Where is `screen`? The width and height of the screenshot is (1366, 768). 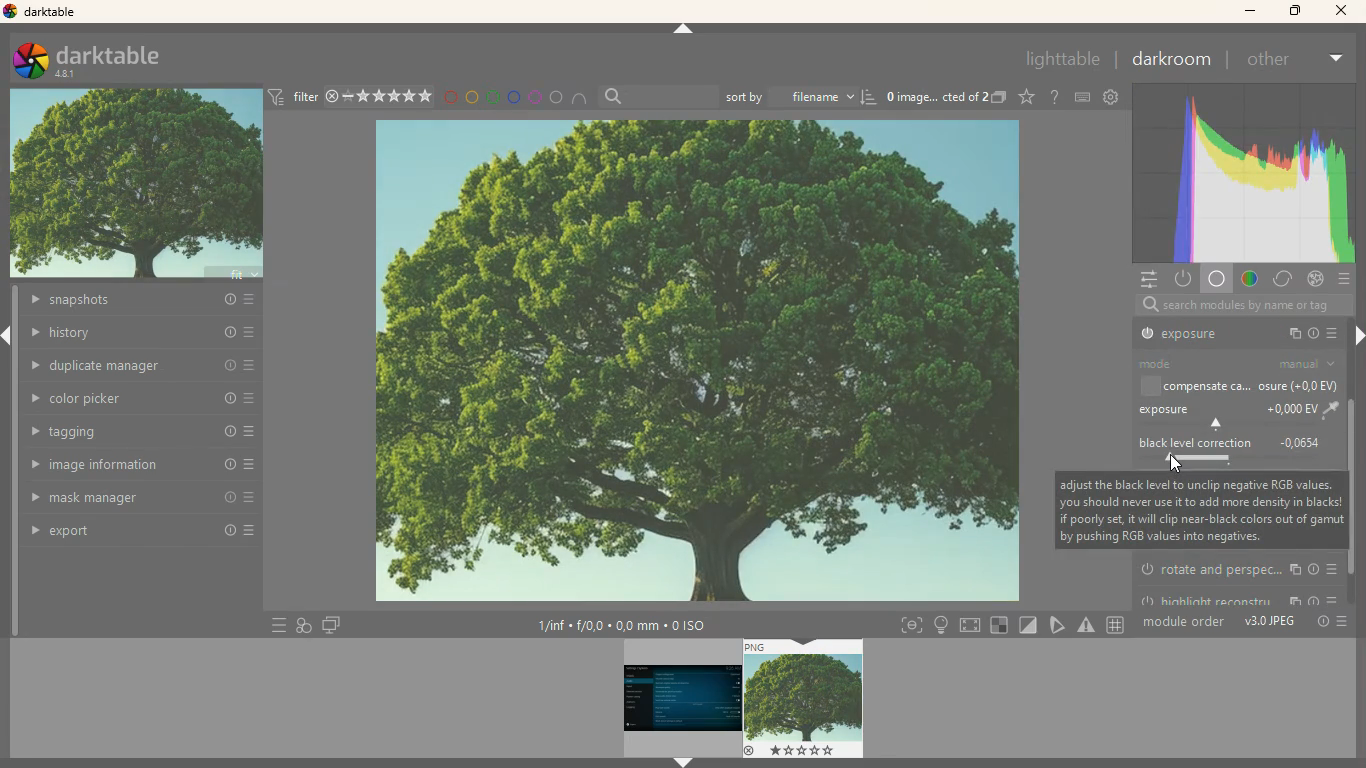
screen is located at coordinates (332, 624).